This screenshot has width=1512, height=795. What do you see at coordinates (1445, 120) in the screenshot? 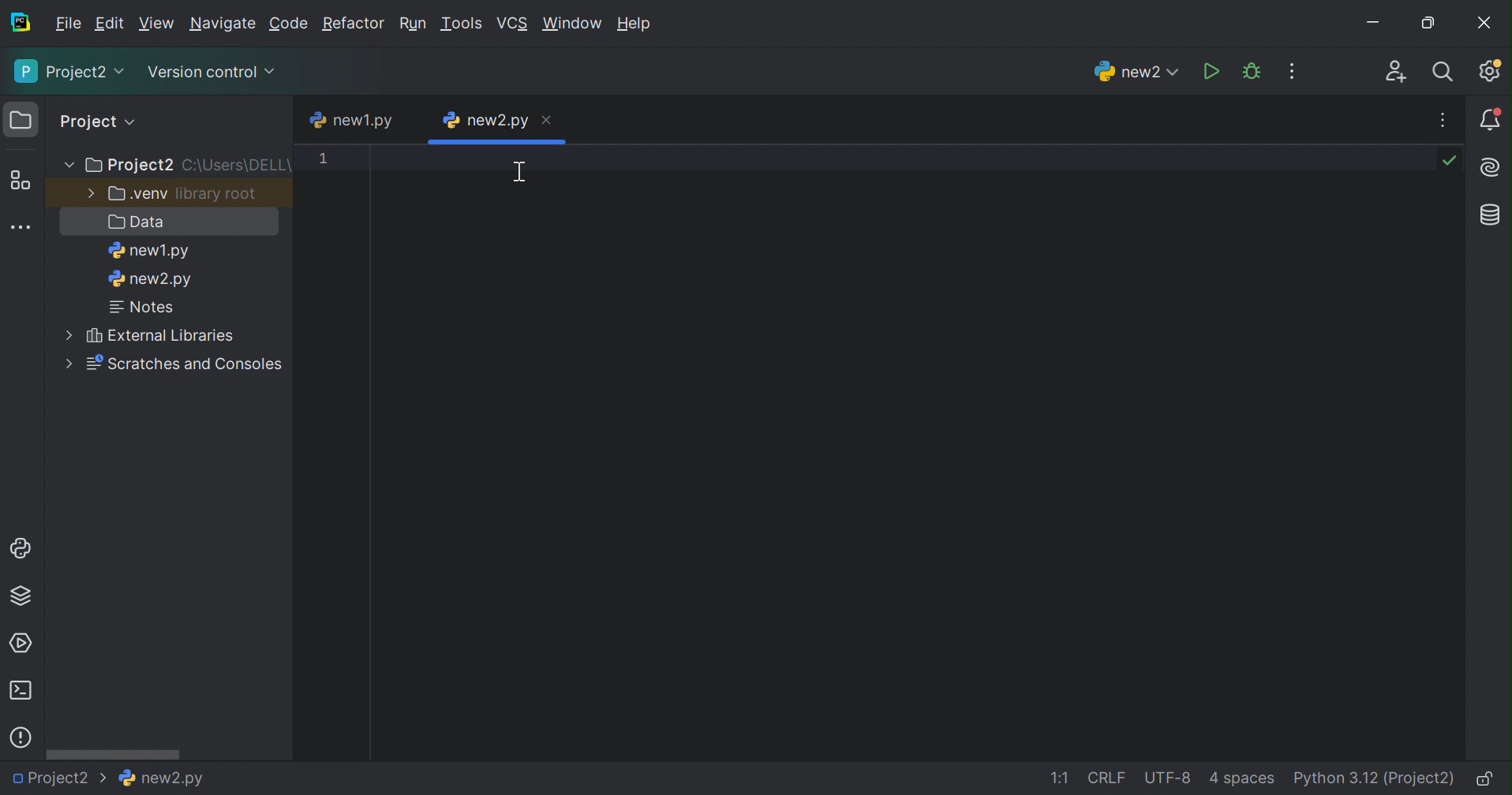
I see `Recent file, tab actions, and more` at bounding box center [1445, 120].